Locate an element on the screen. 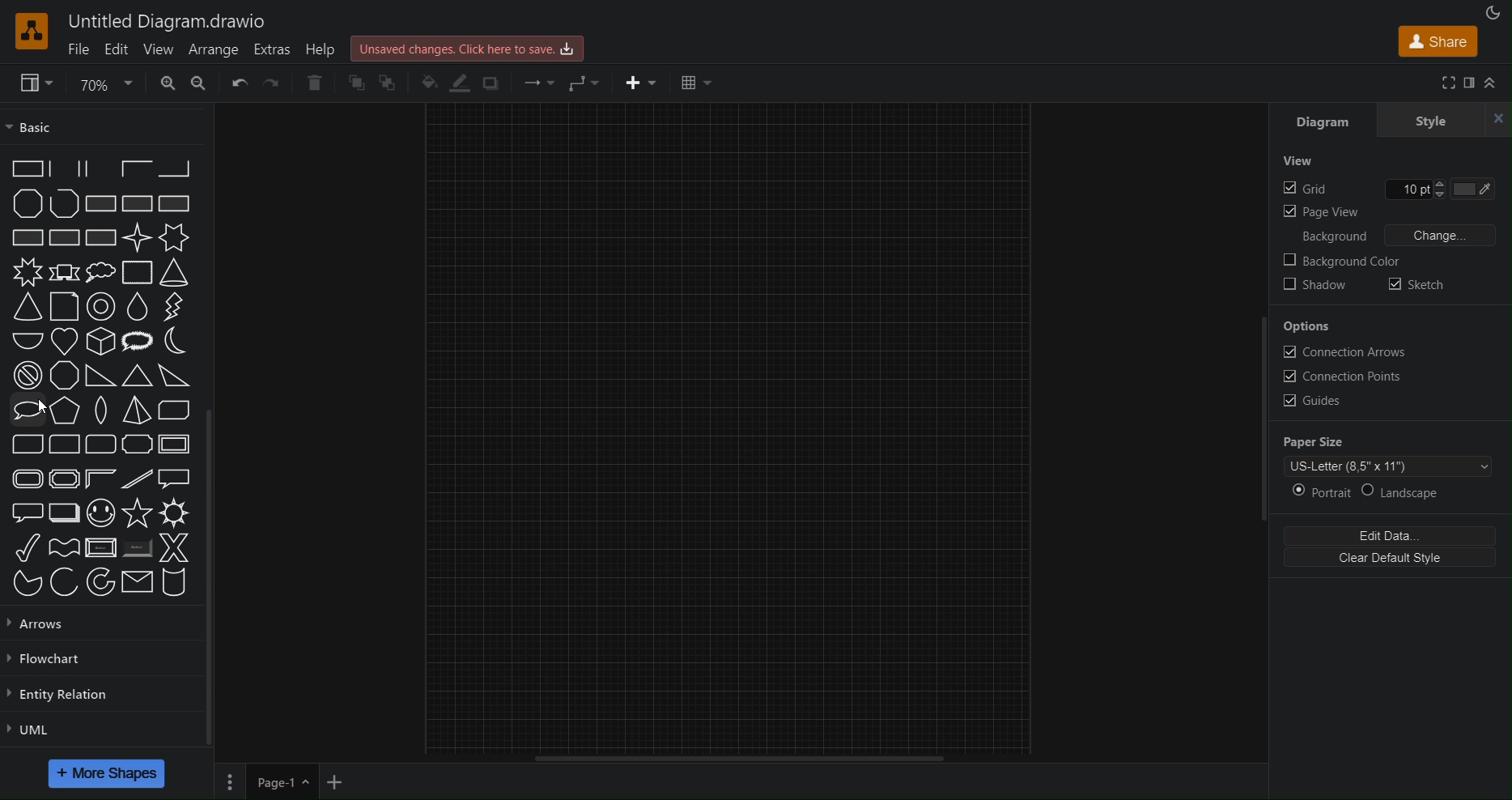  Partial Rectangle is located at coordinates (98, 169).